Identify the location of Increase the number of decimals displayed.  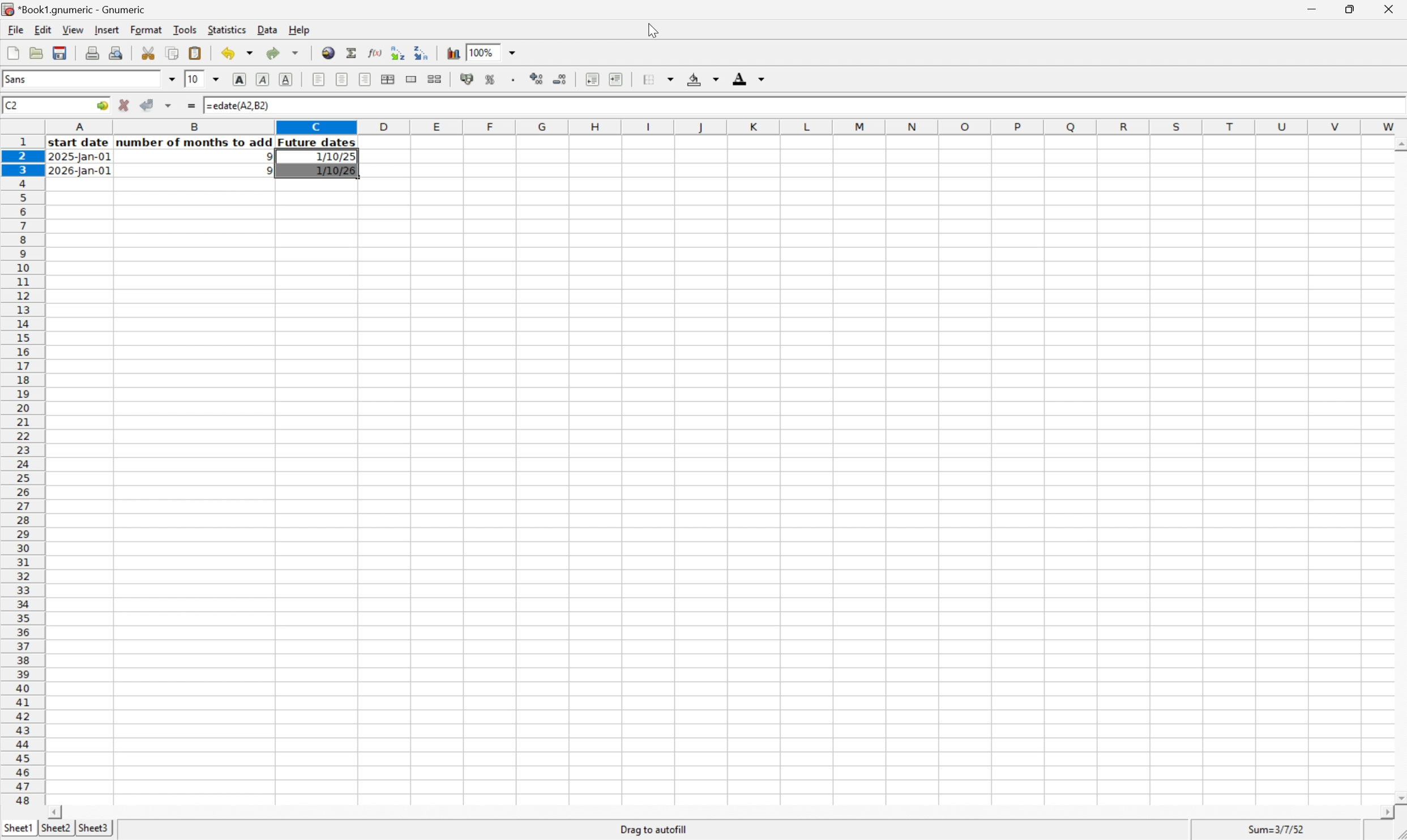
(537, 80).